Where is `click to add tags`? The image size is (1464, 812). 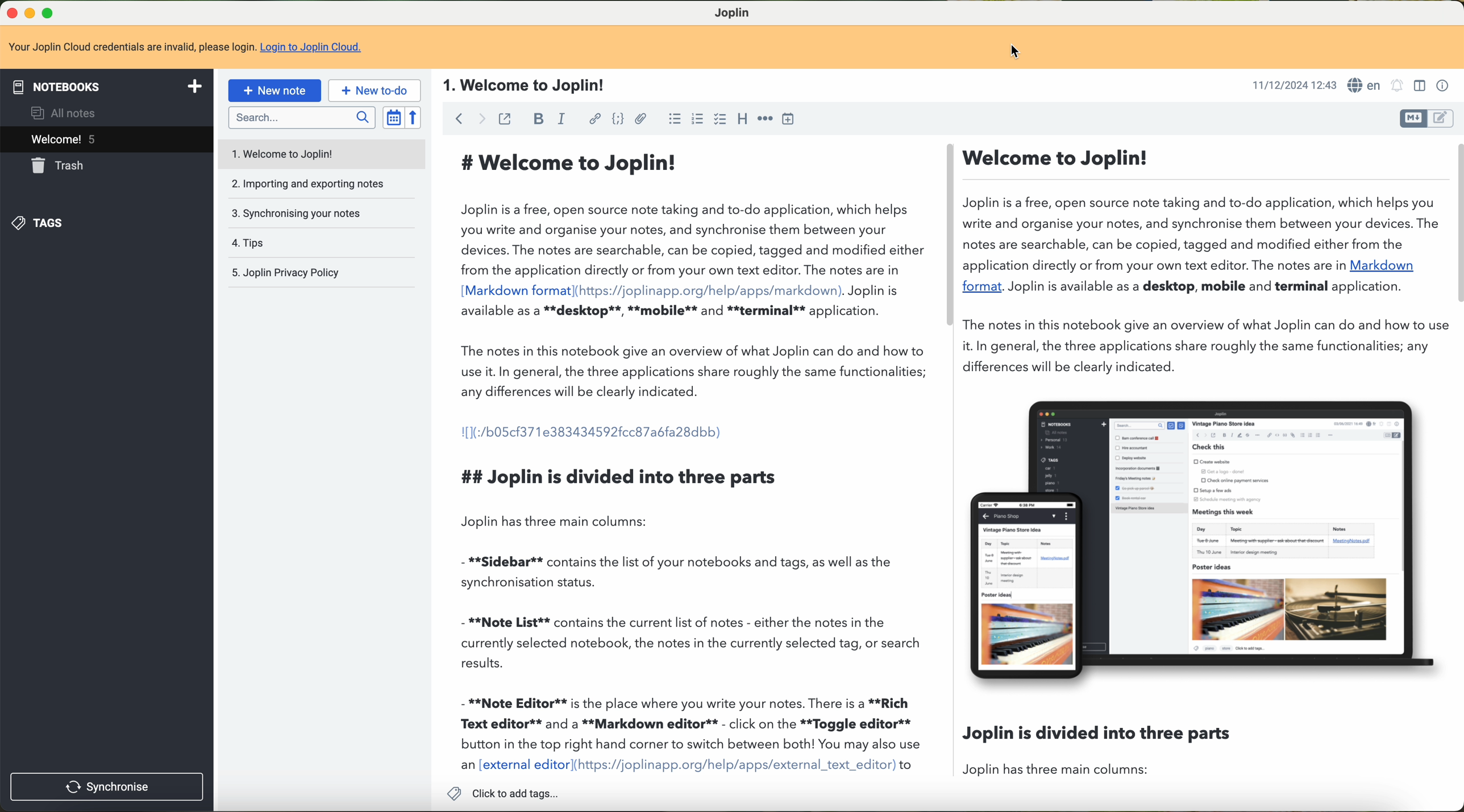
click to add tags is located at coordinates (501, 792).